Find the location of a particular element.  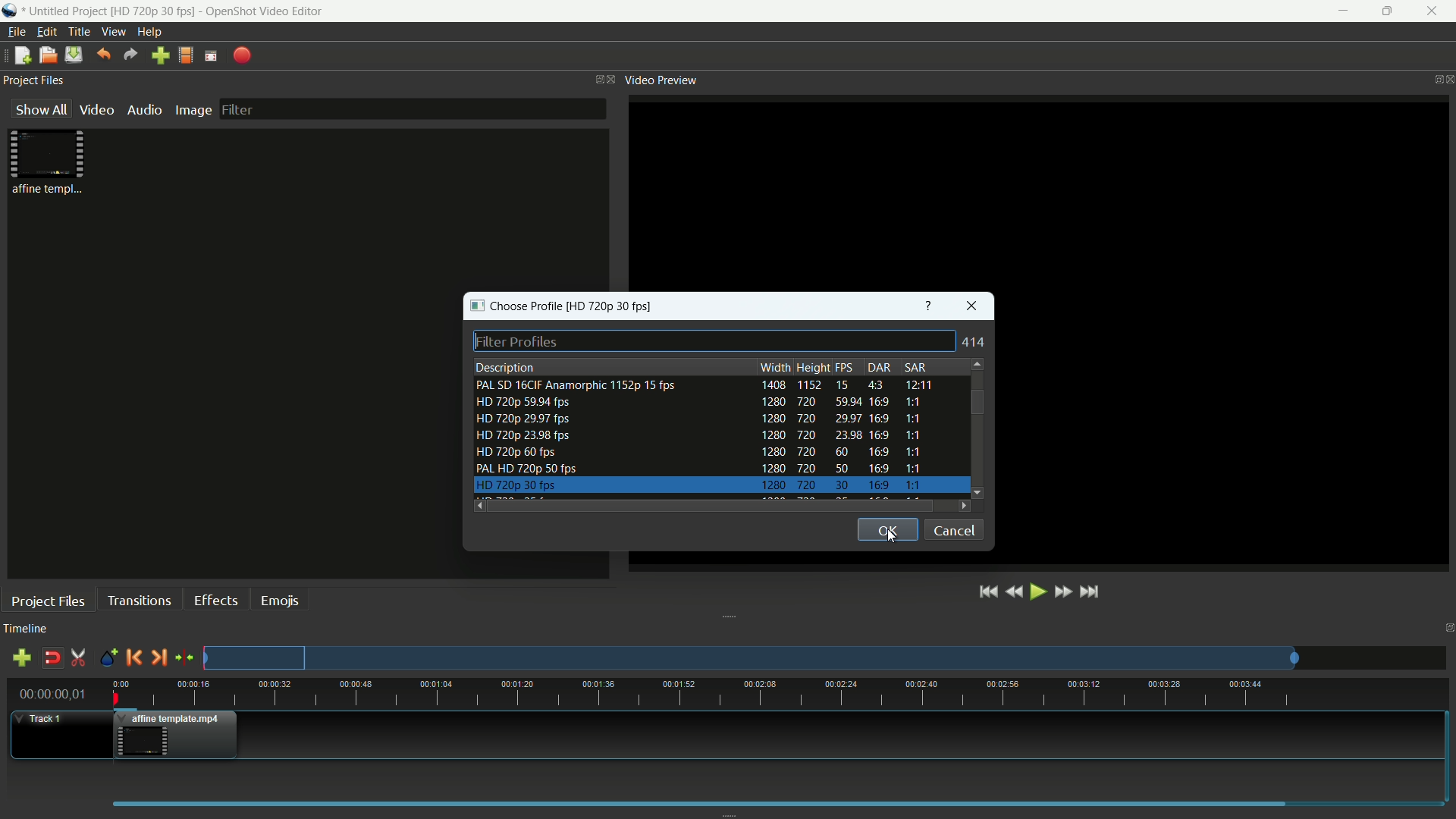

cancel is located at coordinates (955, 529).